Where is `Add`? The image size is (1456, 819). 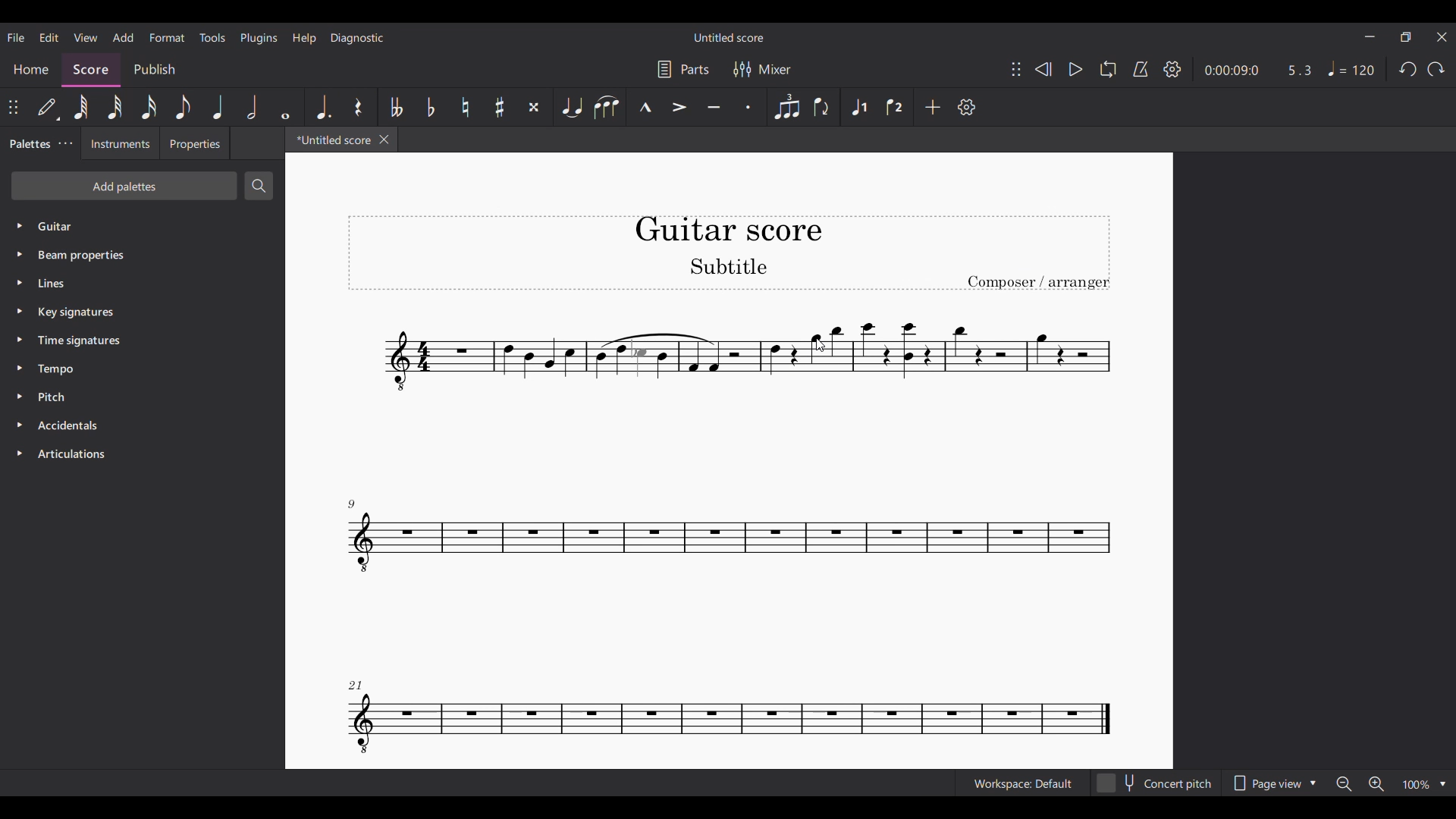
Add is located at coordinates (933, 106).